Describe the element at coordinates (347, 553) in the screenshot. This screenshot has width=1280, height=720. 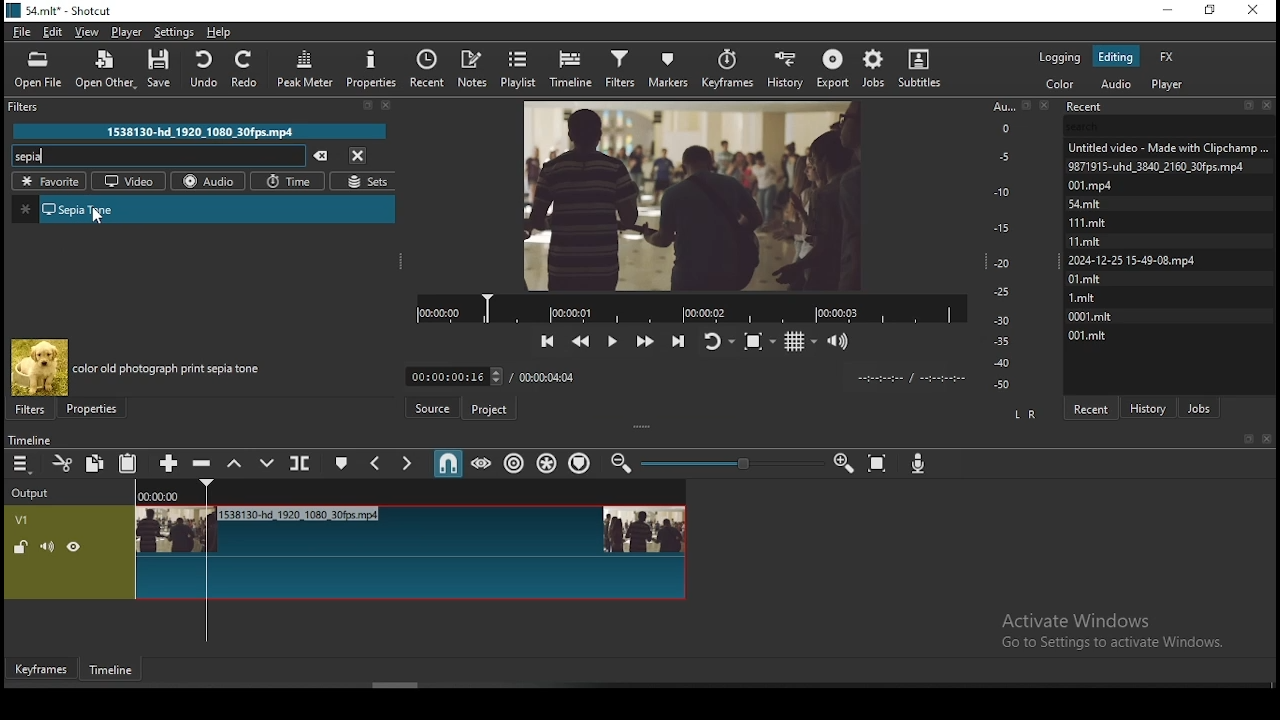
I see `video track` at that location.